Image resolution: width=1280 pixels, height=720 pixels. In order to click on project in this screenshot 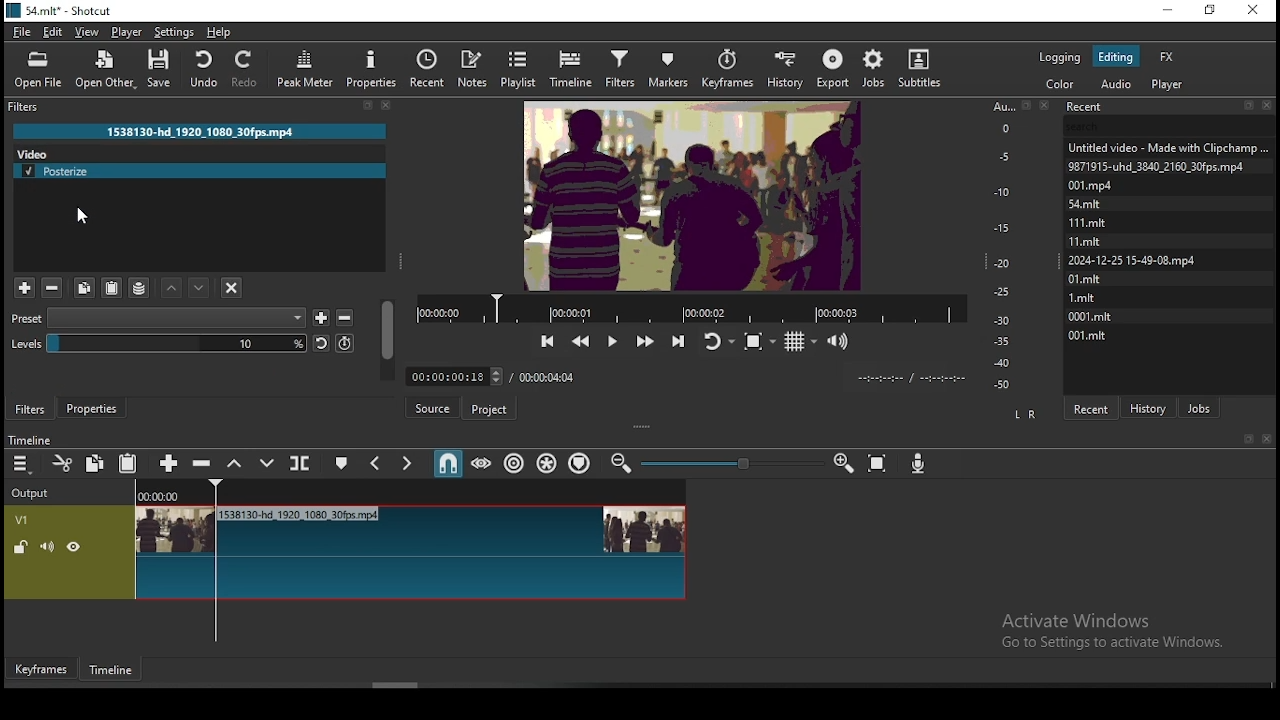, I will do `click(487, 406)`.